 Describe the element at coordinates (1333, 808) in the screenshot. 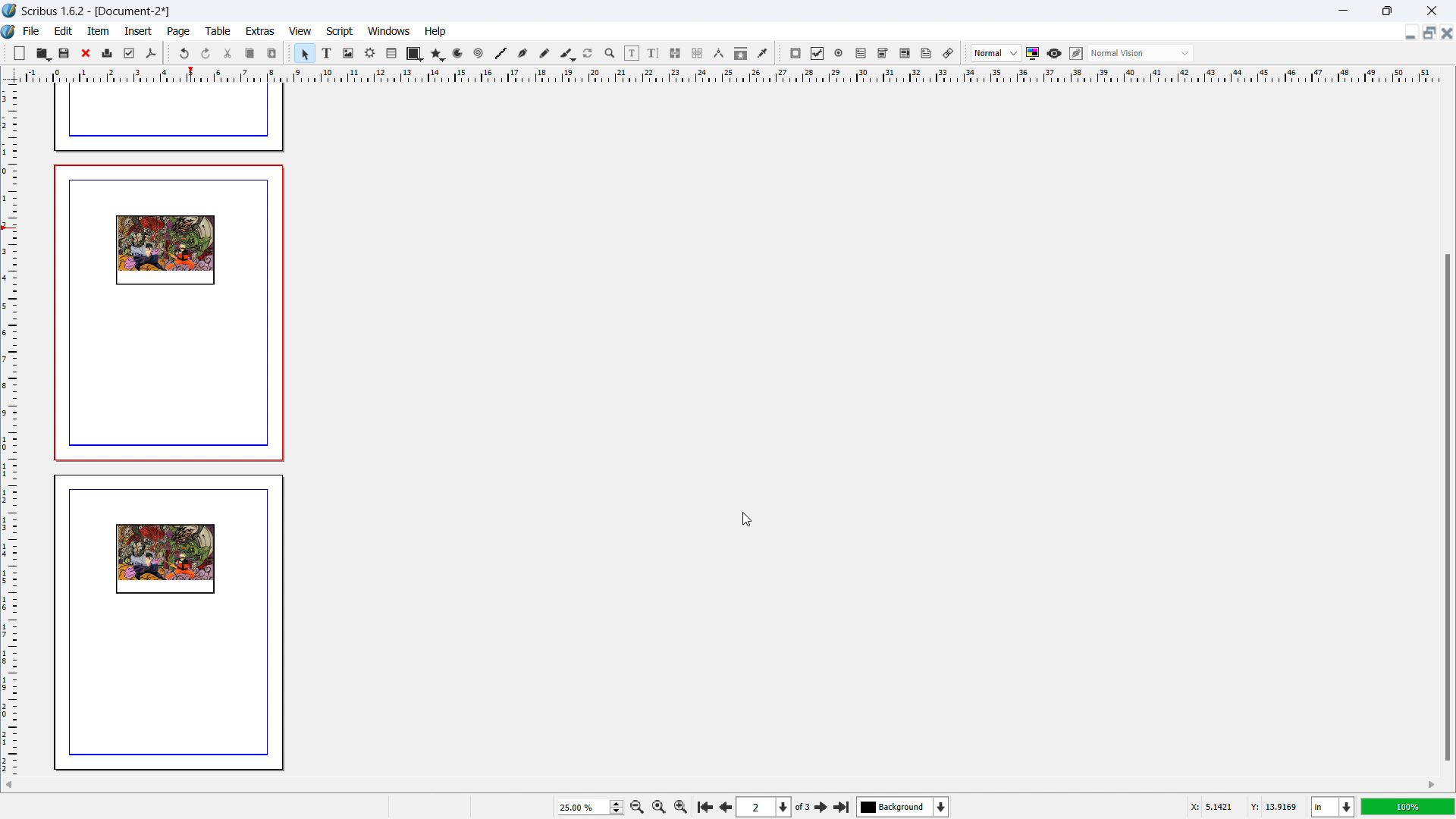

I see `unit of measurement` at that location.